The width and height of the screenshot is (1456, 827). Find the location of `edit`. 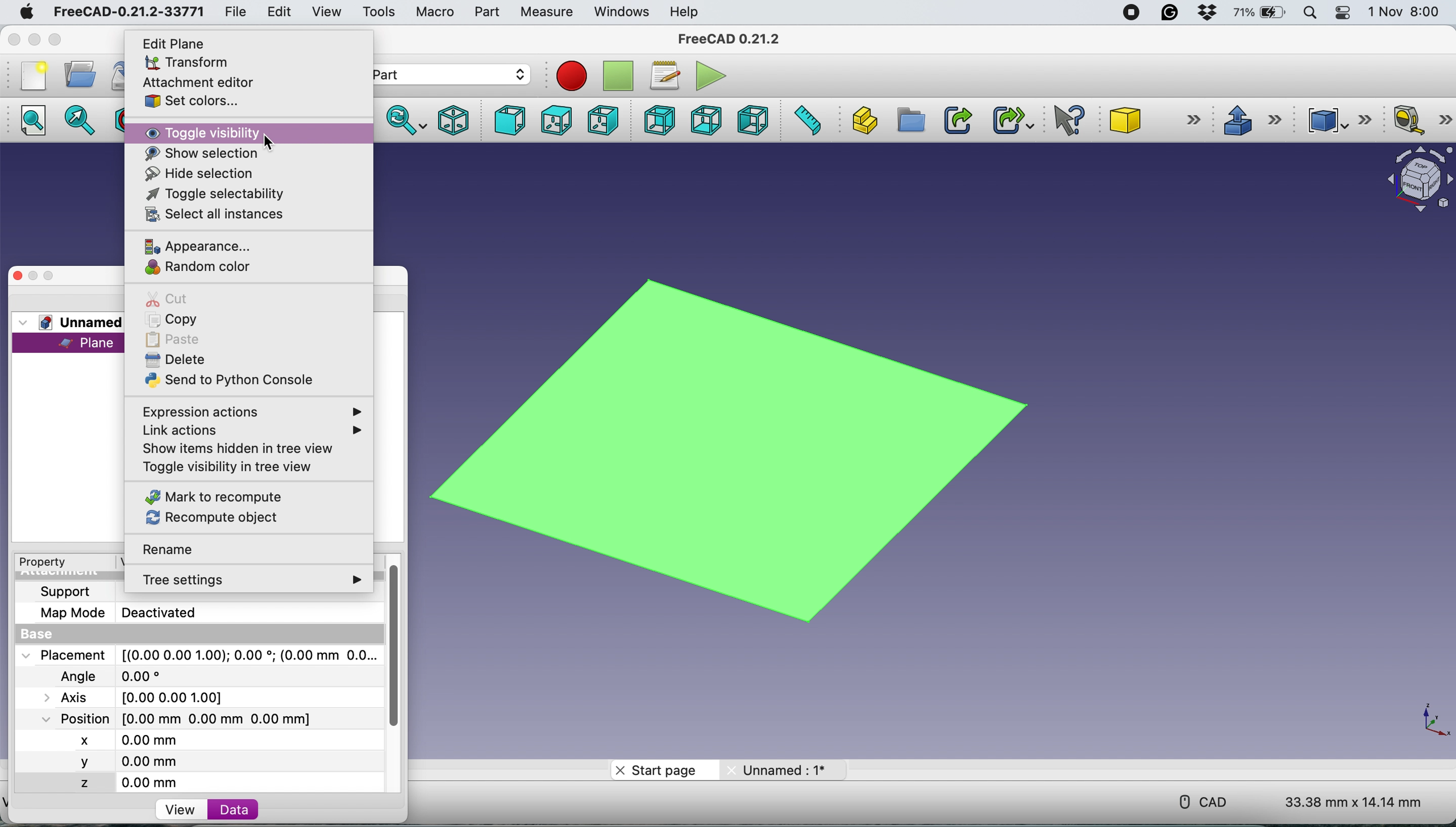

edit is located at coordinates (281, 13).